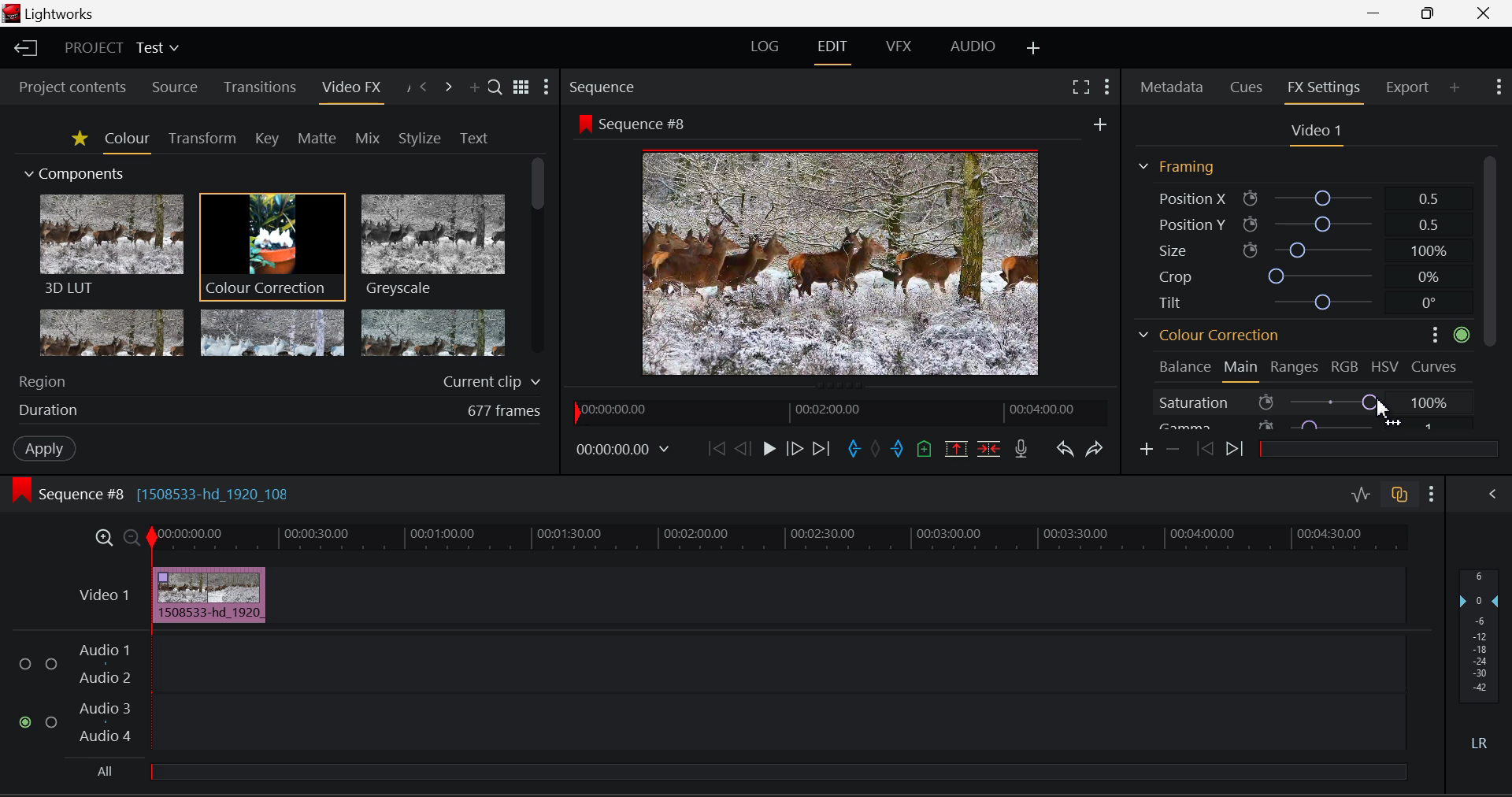 Image resolution: width=1512 pixels, height=797 pixels. What do you see at coordinates (54, 13) in the screenshot?
I see `Window Title` at bounding box center [54, 13].